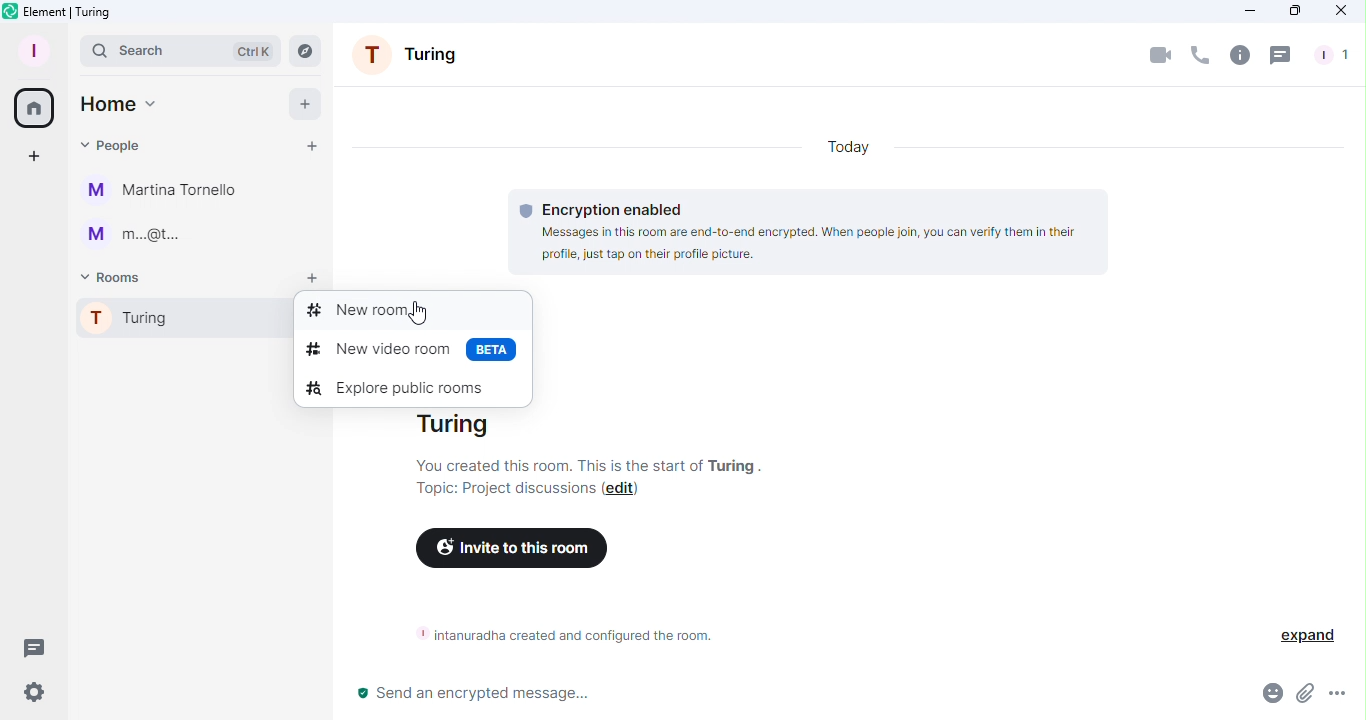  I want to click on People, so click(114, 142).